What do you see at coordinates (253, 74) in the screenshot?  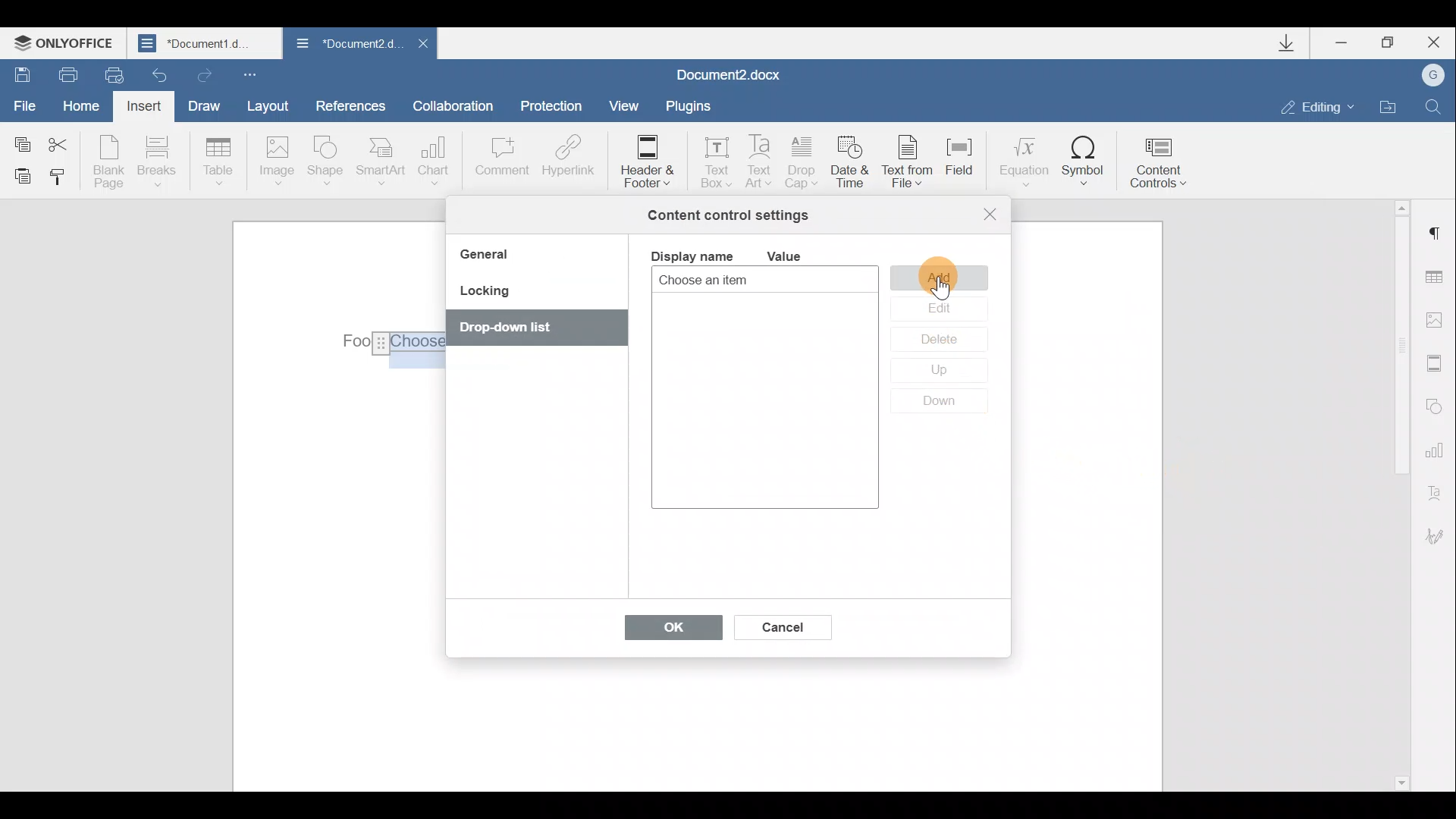 I see `Customize quick access toolbar` at bounding box center [253, 74].